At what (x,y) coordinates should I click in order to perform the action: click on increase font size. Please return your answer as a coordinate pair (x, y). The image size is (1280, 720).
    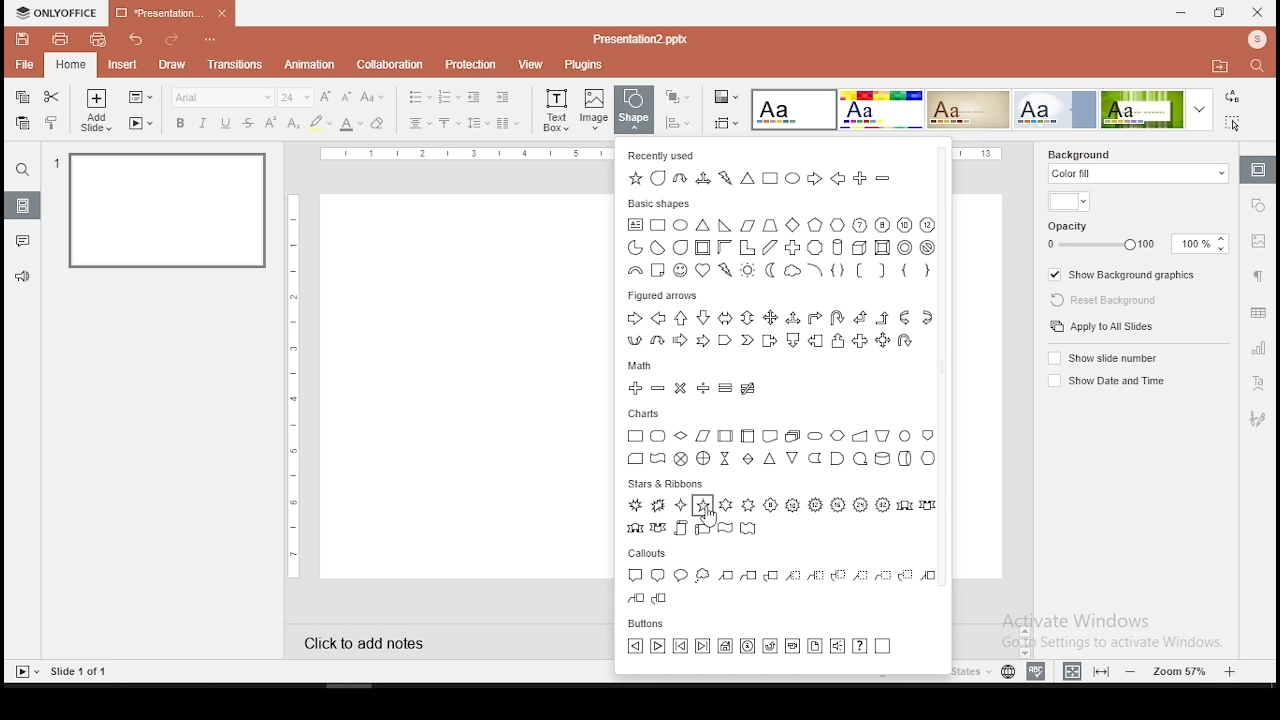
    Looking at the image, I should click on (328, 98).